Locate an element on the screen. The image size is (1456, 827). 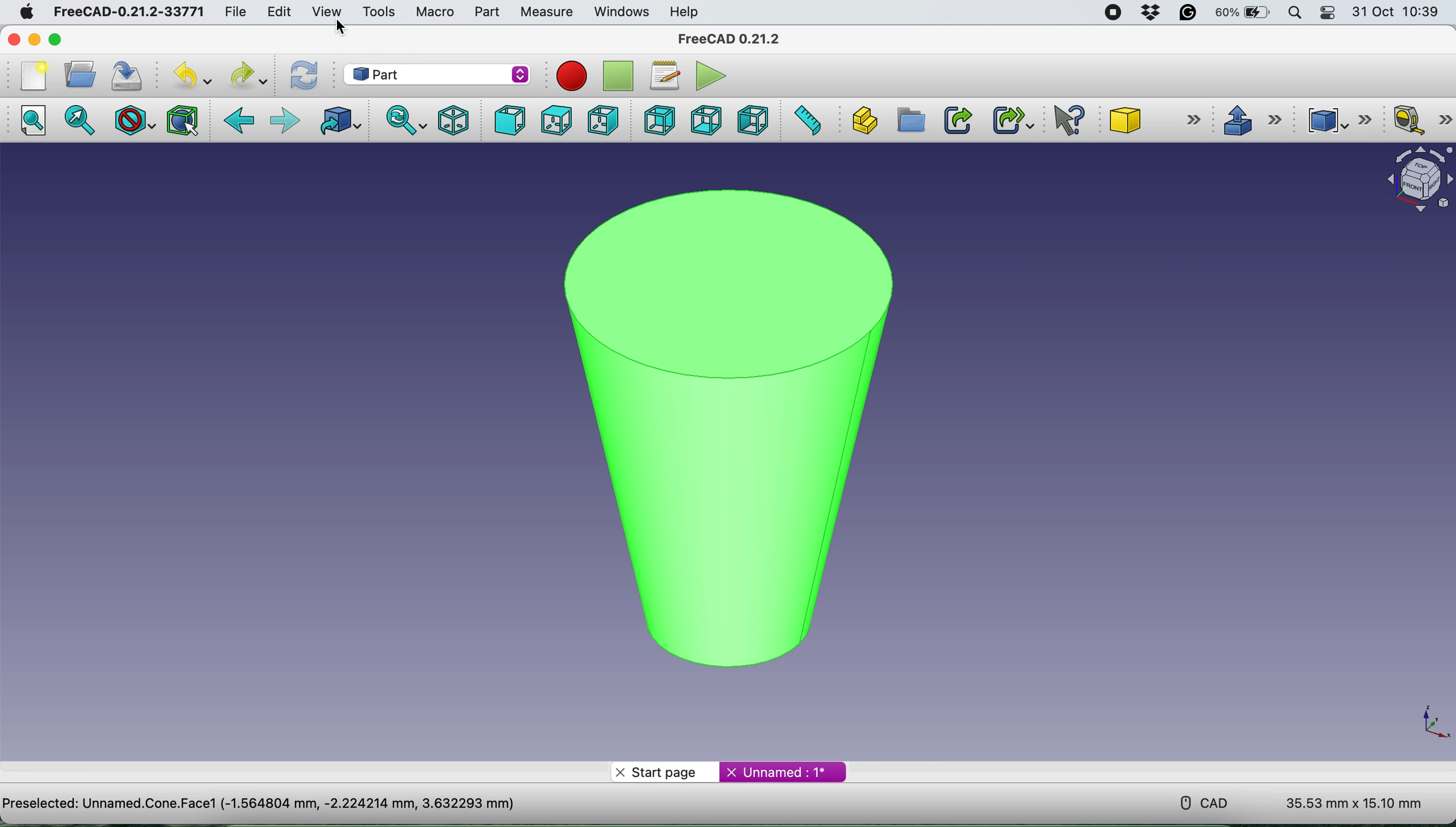
back is located at coordinates (240, 121).